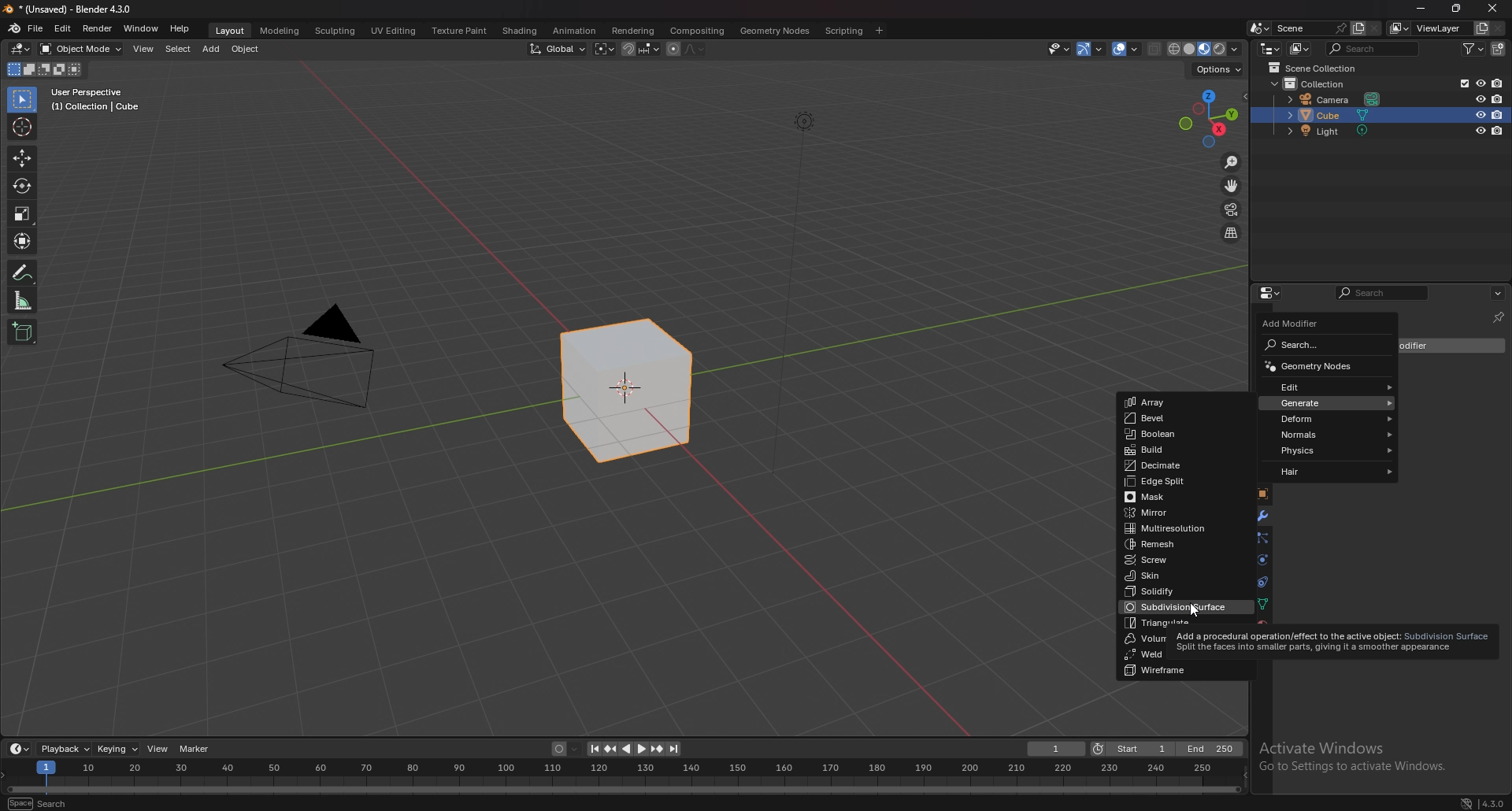  Describe the element at coordinates (1495, 291) in the screenshot. I see `view more` at that location.